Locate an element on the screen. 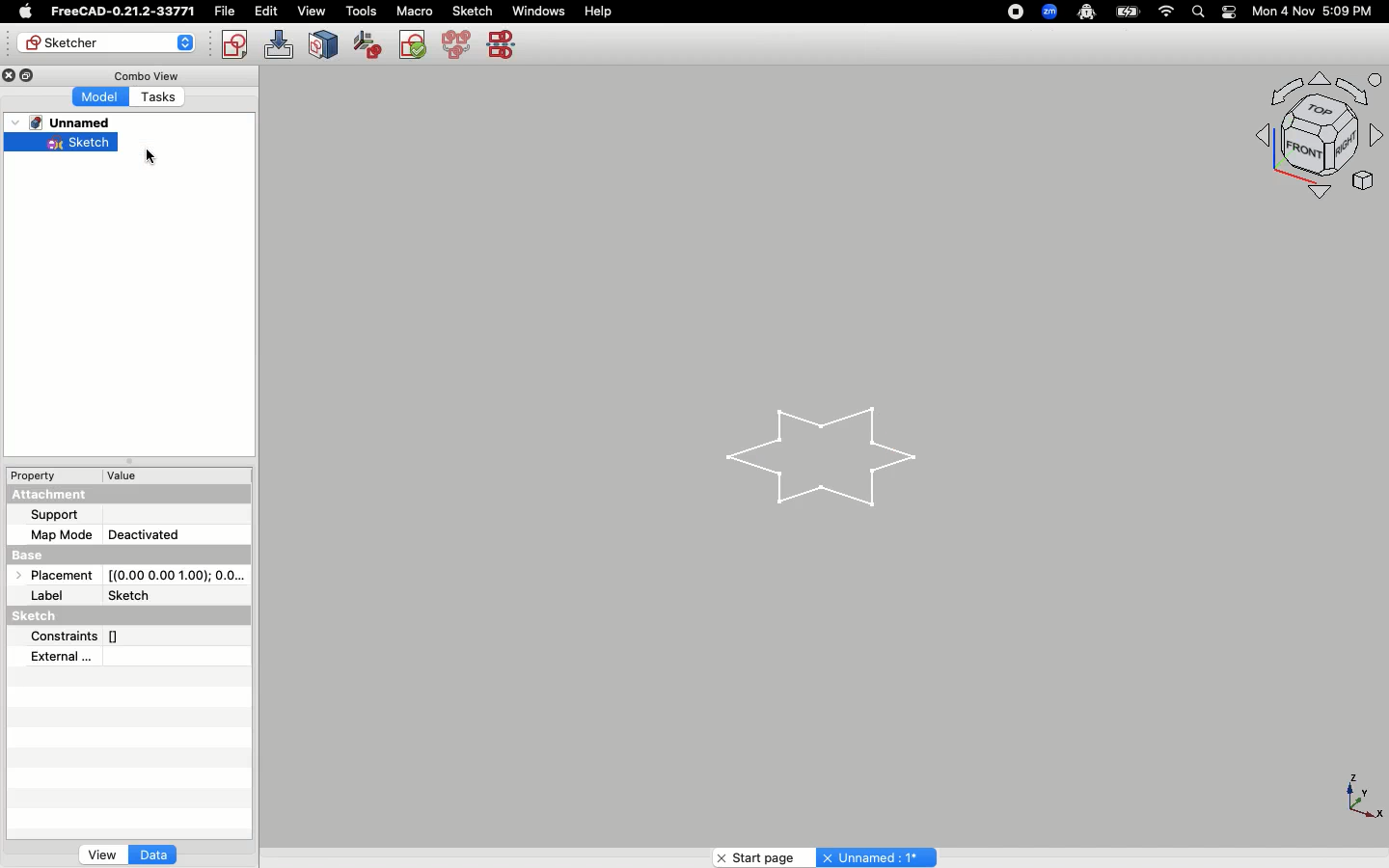 This screenshot has height=868, width=1389. Tasks is located at coordinates (170, 97).